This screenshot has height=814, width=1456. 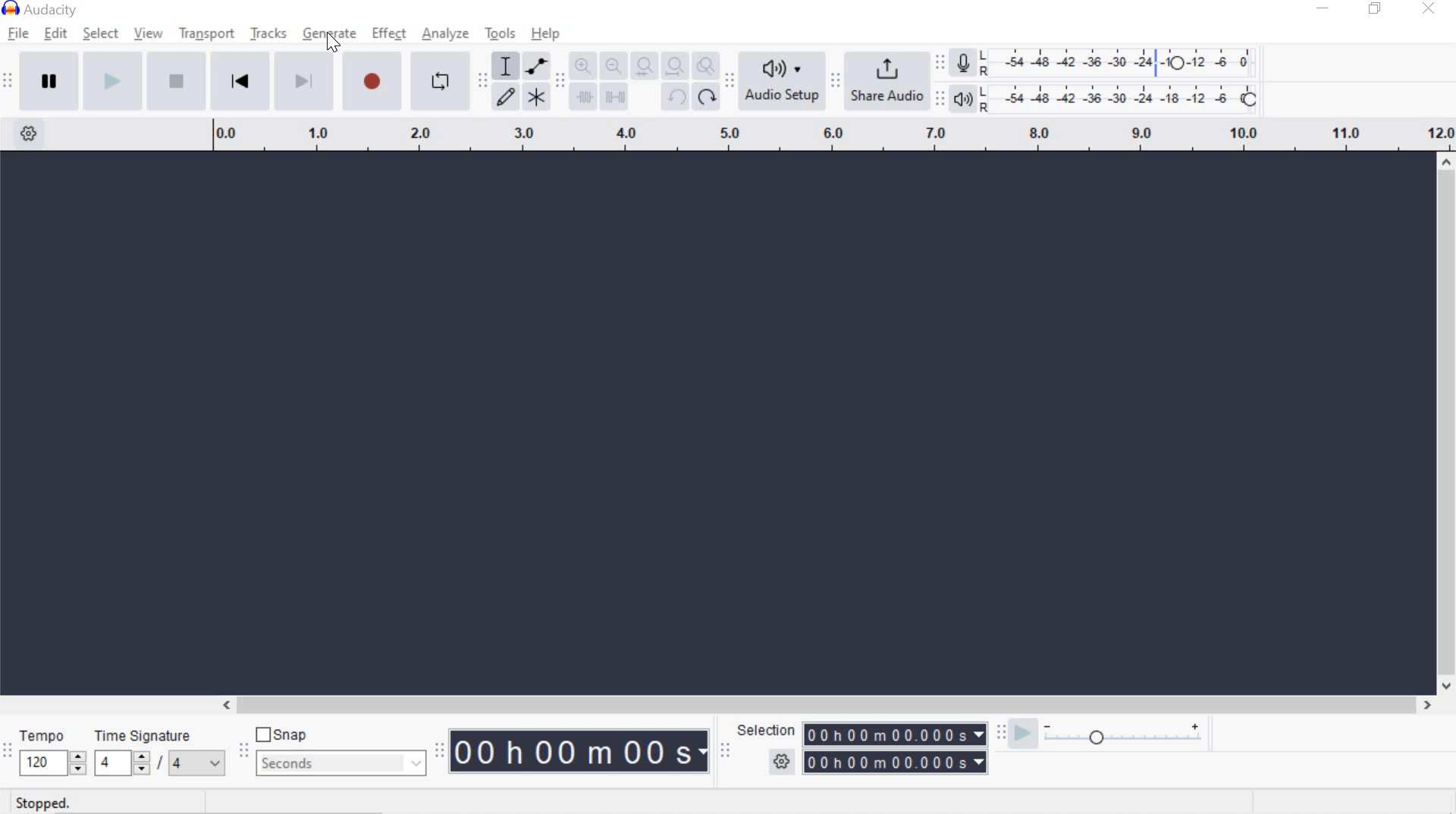 I want to click on system name, so click(x=40, y=10).